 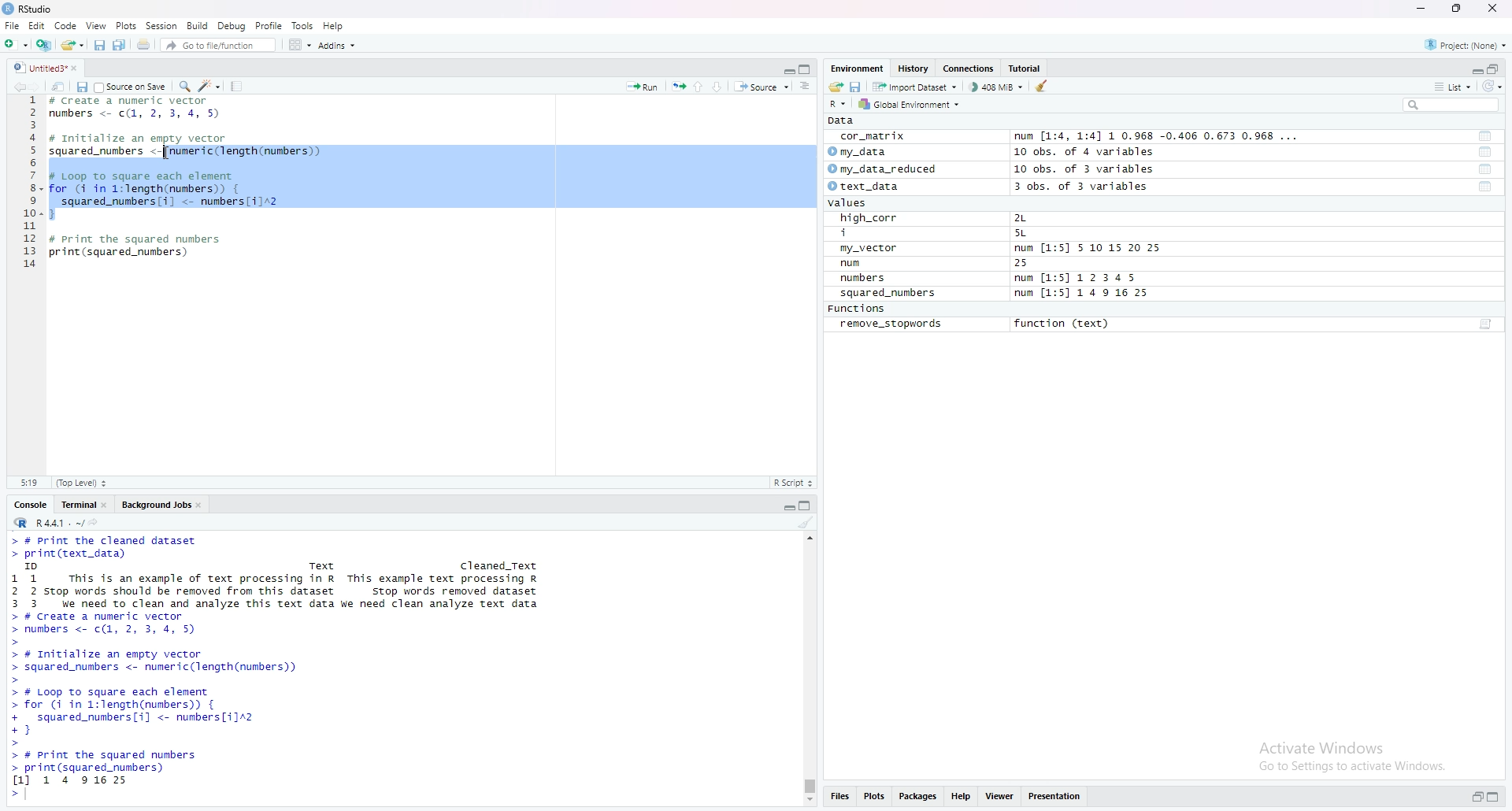 What do you see at coordinates (919, 798) in the screenshot?
I see `Packages` at bounding box center [919, 798].